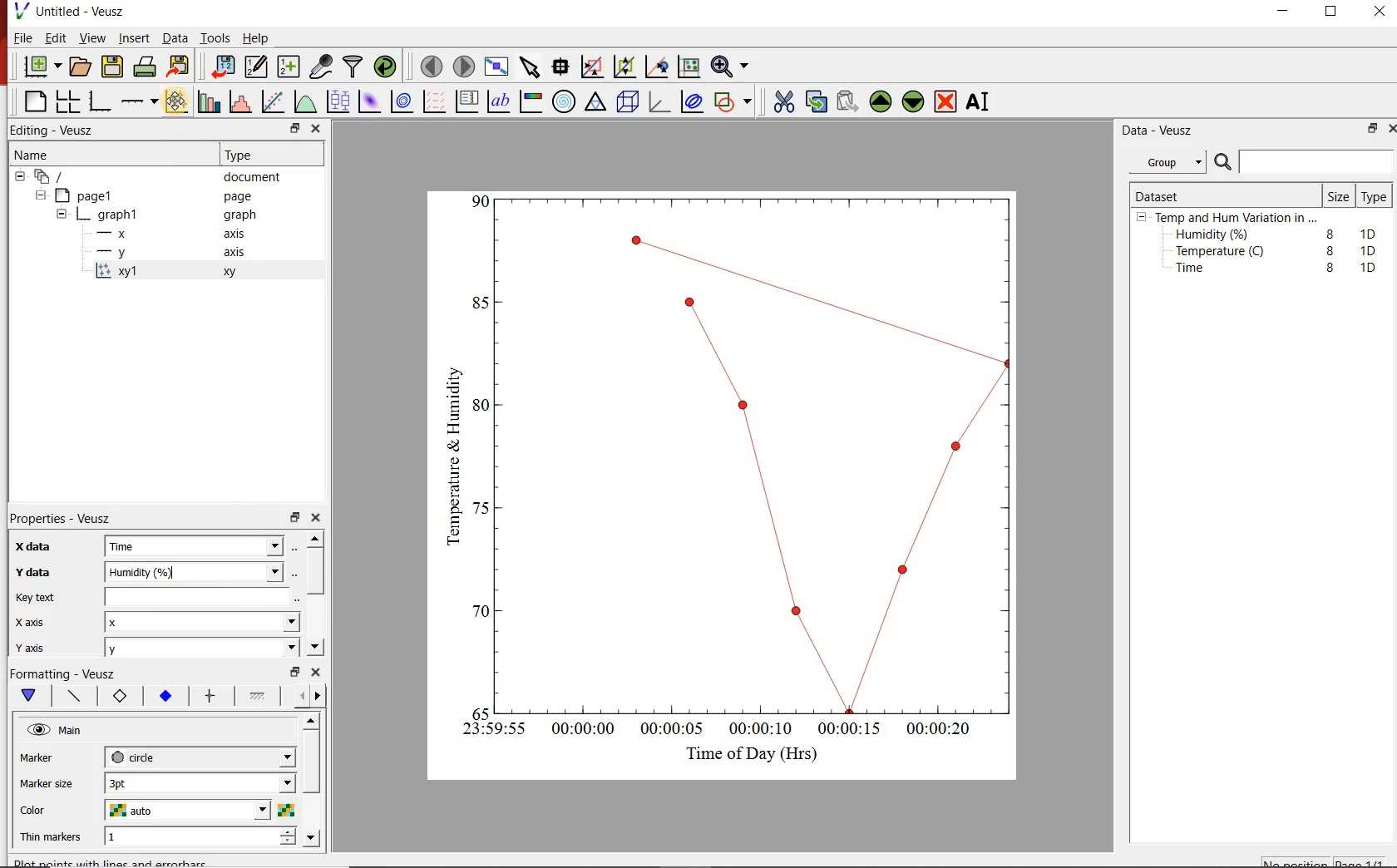 This screenshot has height=868, width=1397. Describe the element at coordinates (74, 11) in the screenshot. I see `Untitled - Veusz` at that location.